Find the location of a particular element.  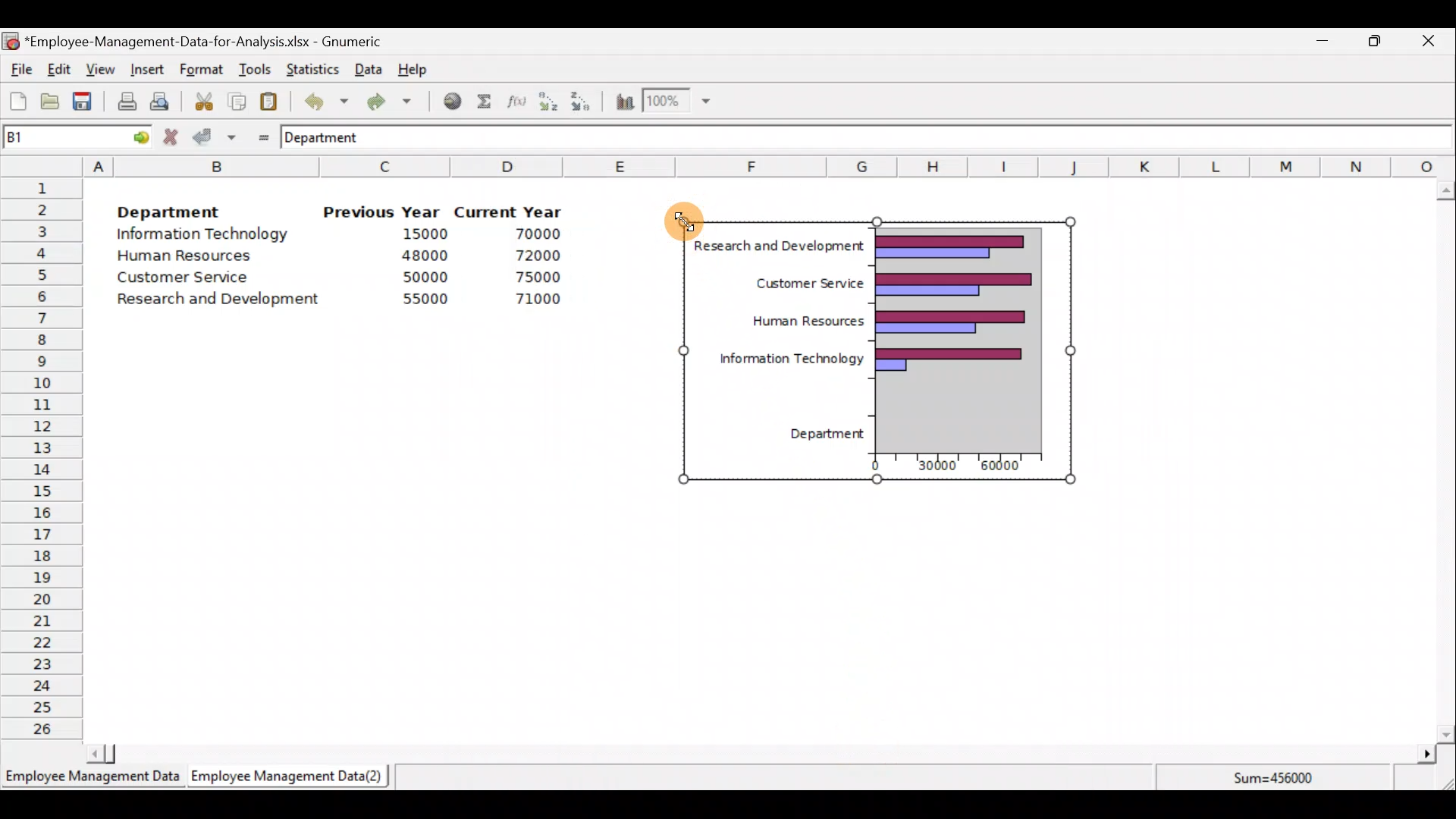

Scroll bar is located at coordinates (758, 754).